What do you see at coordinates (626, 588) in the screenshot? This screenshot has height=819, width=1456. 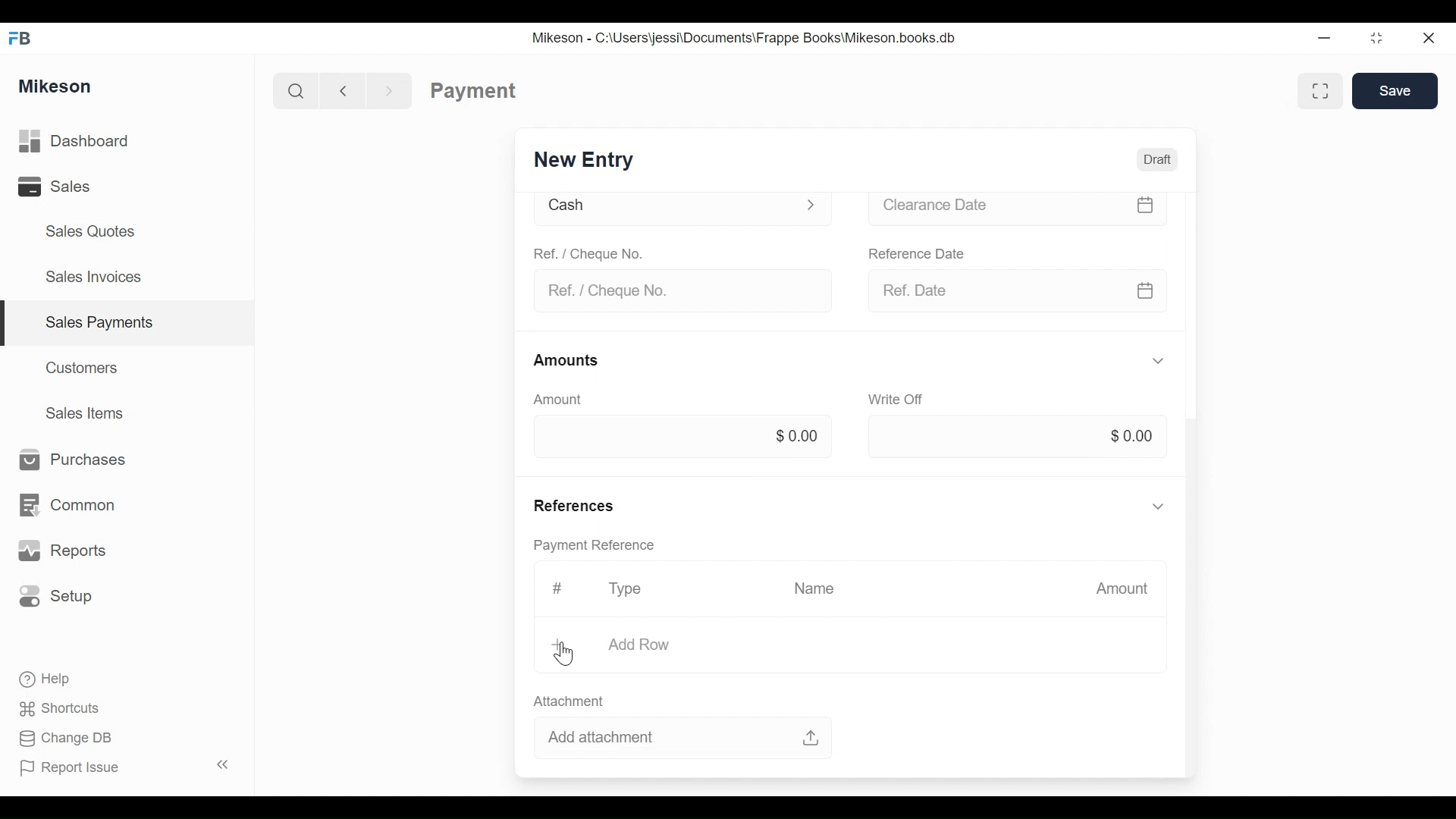 I see `Type` at bounding box center [626, 588].